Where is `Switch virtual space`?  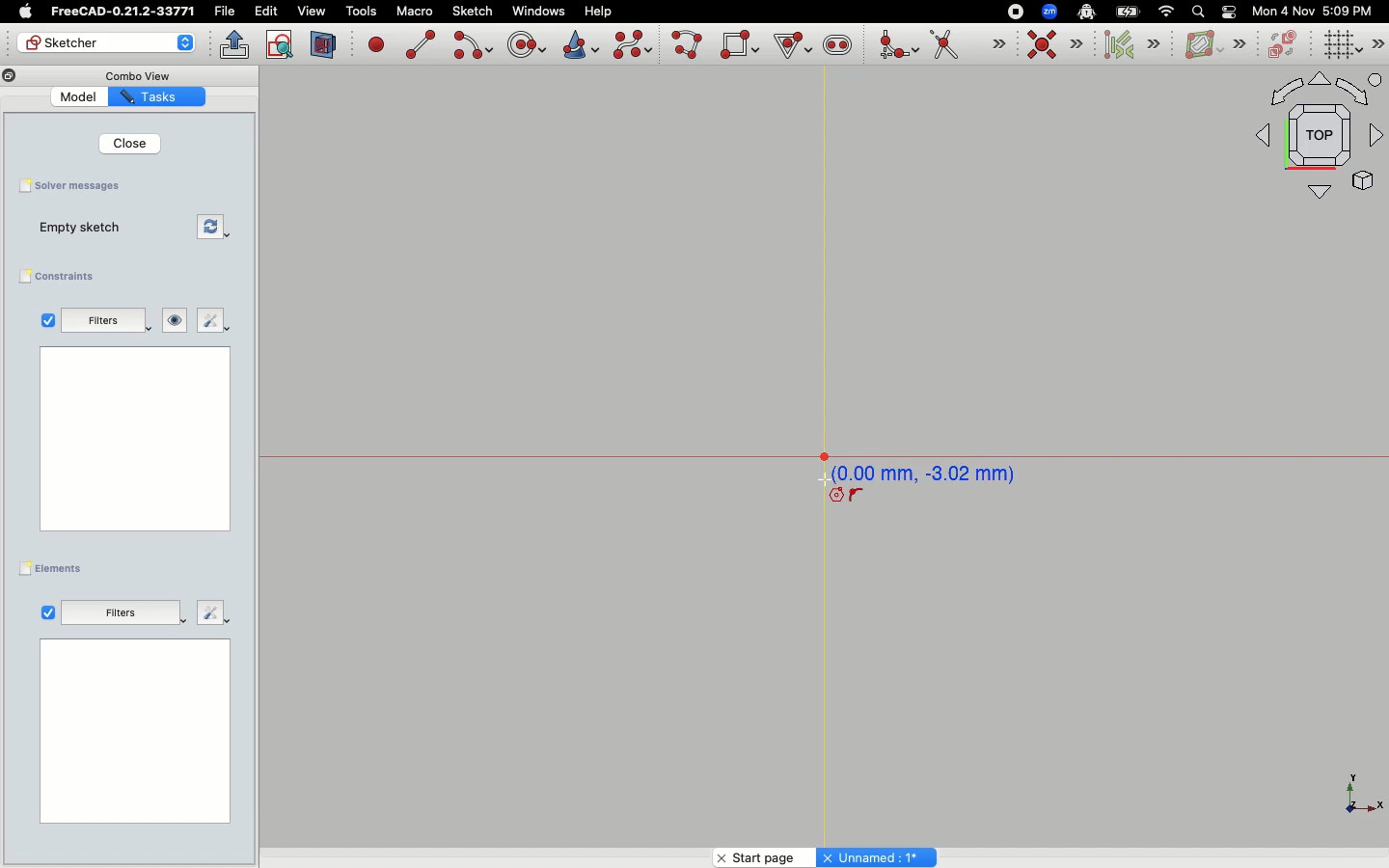 Switch virtual space is located at coordinates (1285, 45).